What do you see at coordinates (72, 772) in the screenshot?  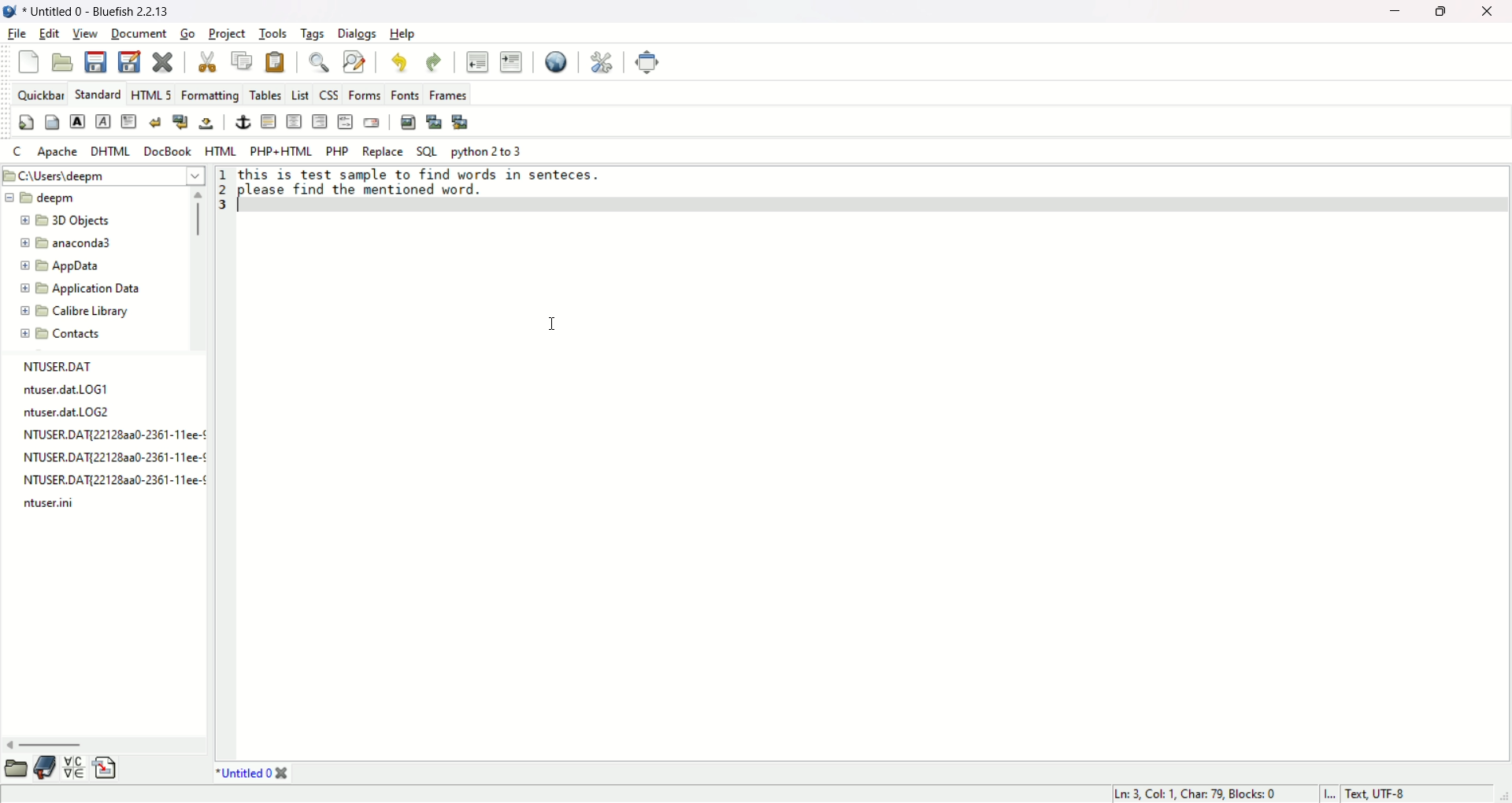 I see `insert character` at bounding box center [72, 772].